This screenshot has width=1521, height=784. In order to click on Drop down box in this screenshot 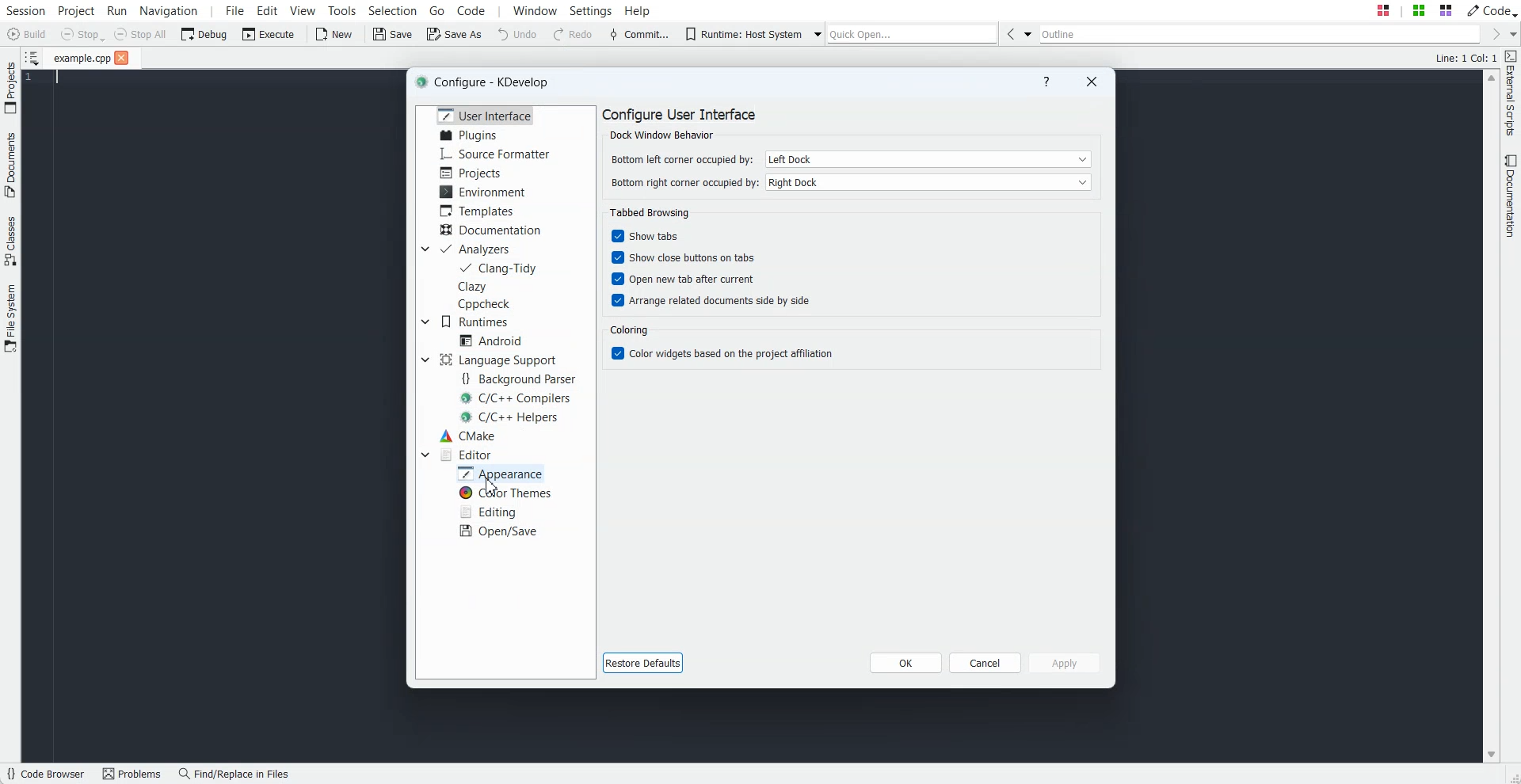, I will do `click(1511, 34)`.